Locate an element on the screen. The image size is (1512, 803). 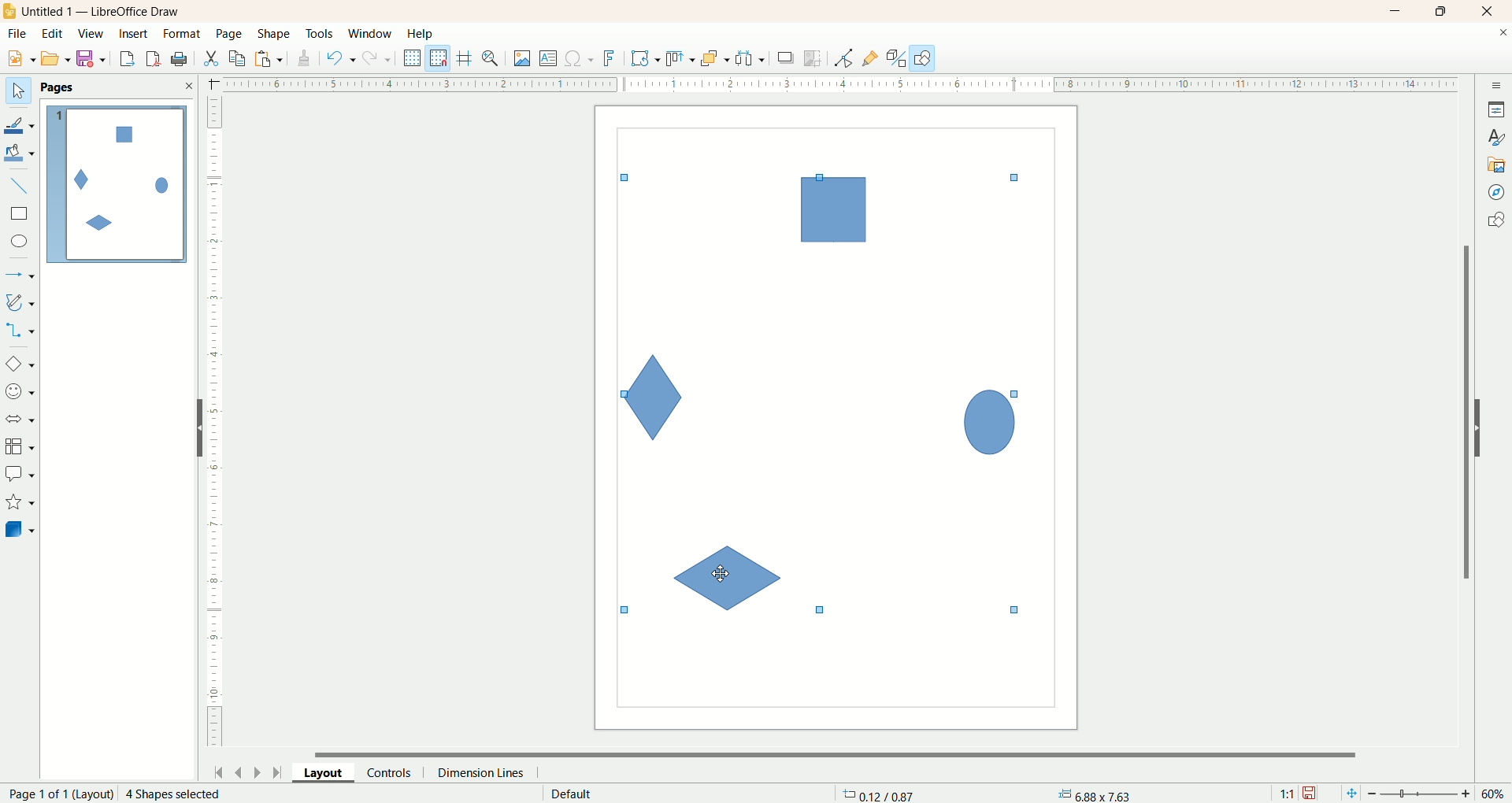
next page is located at coordinates (258, 772).